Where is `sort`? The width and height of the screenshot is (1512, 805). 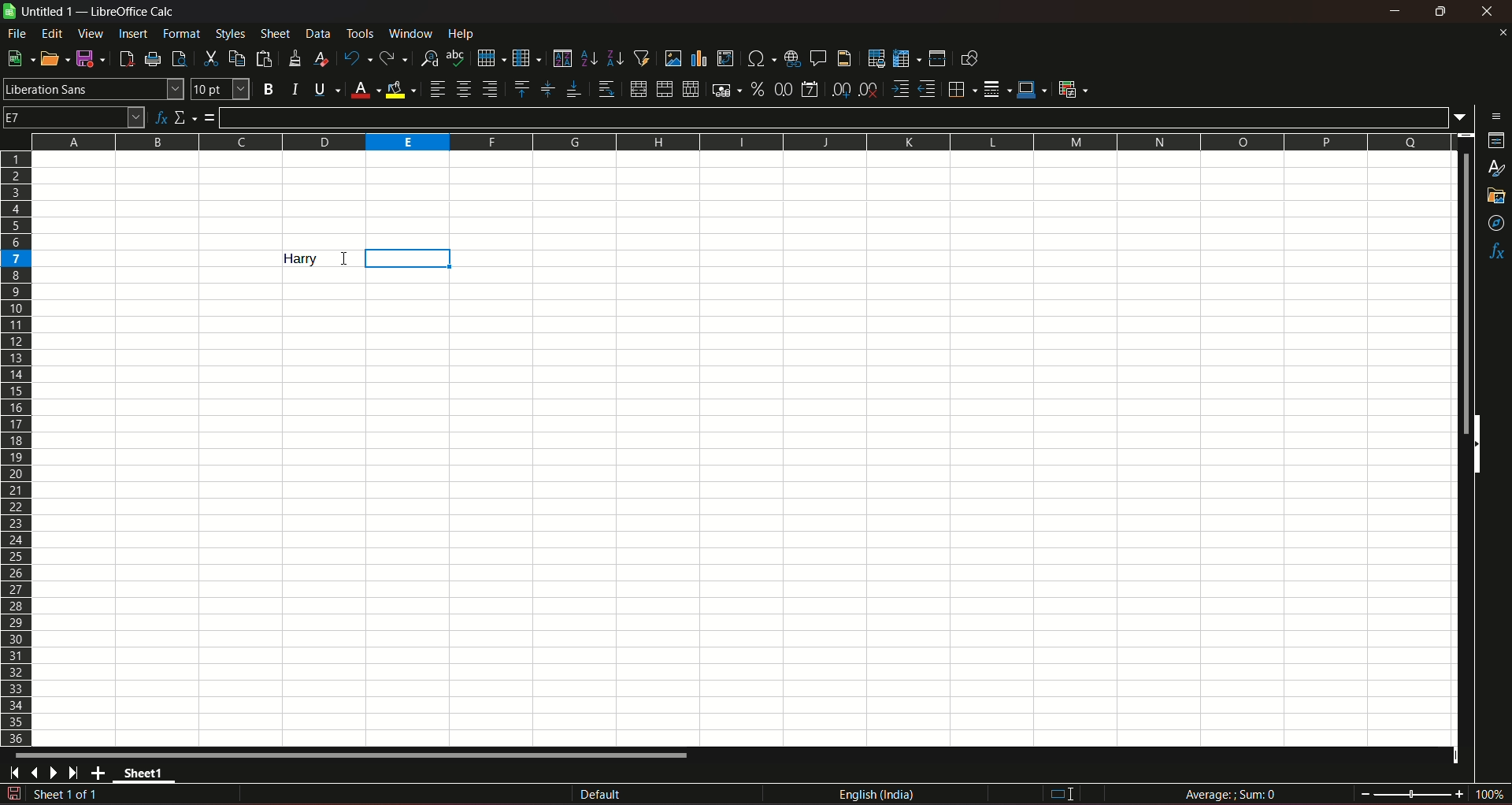
sort is located at coordinates (561, 58).